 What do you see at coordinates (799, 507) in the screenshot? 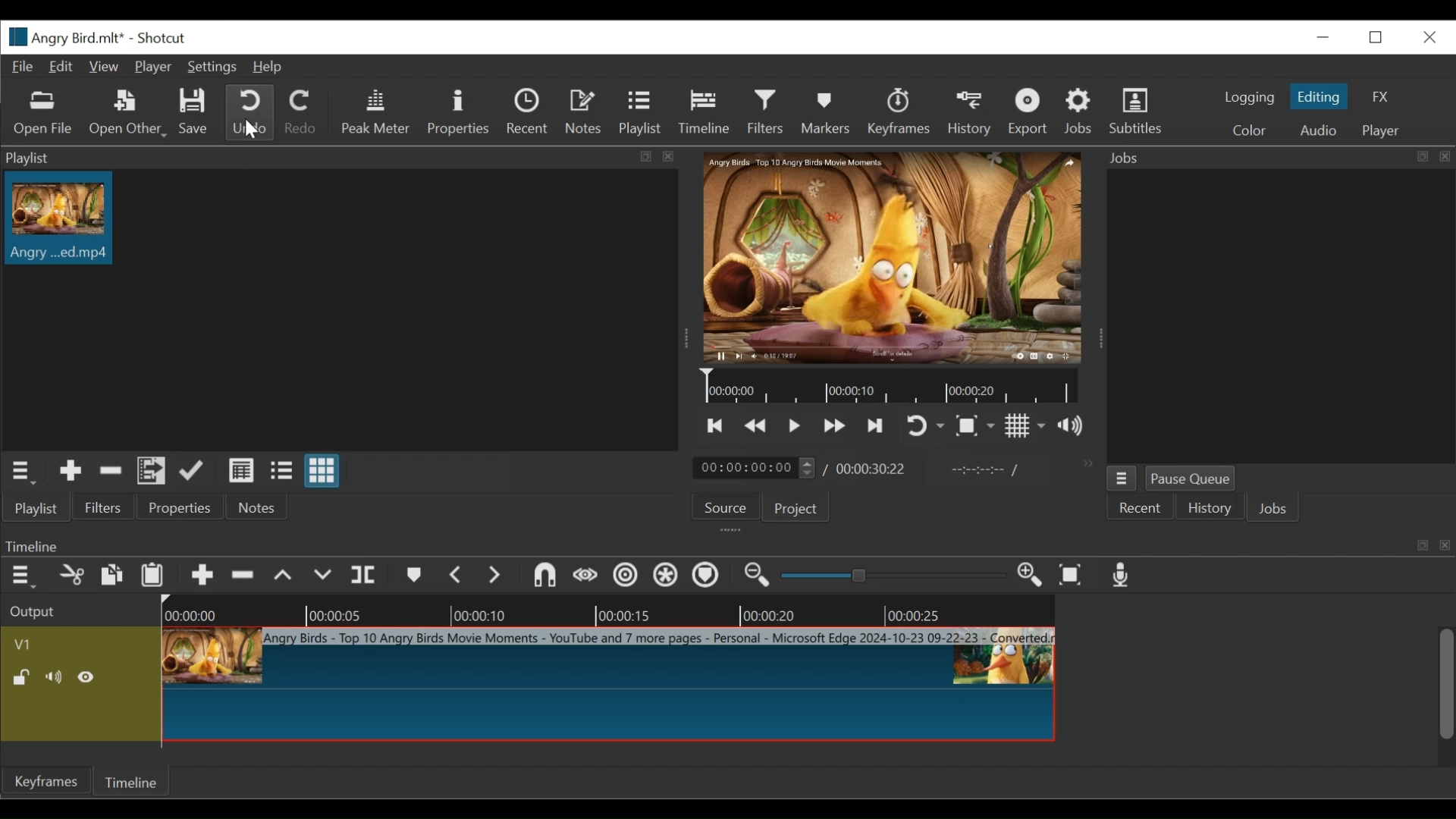
I see `Project` at bounding box center [799, 507].